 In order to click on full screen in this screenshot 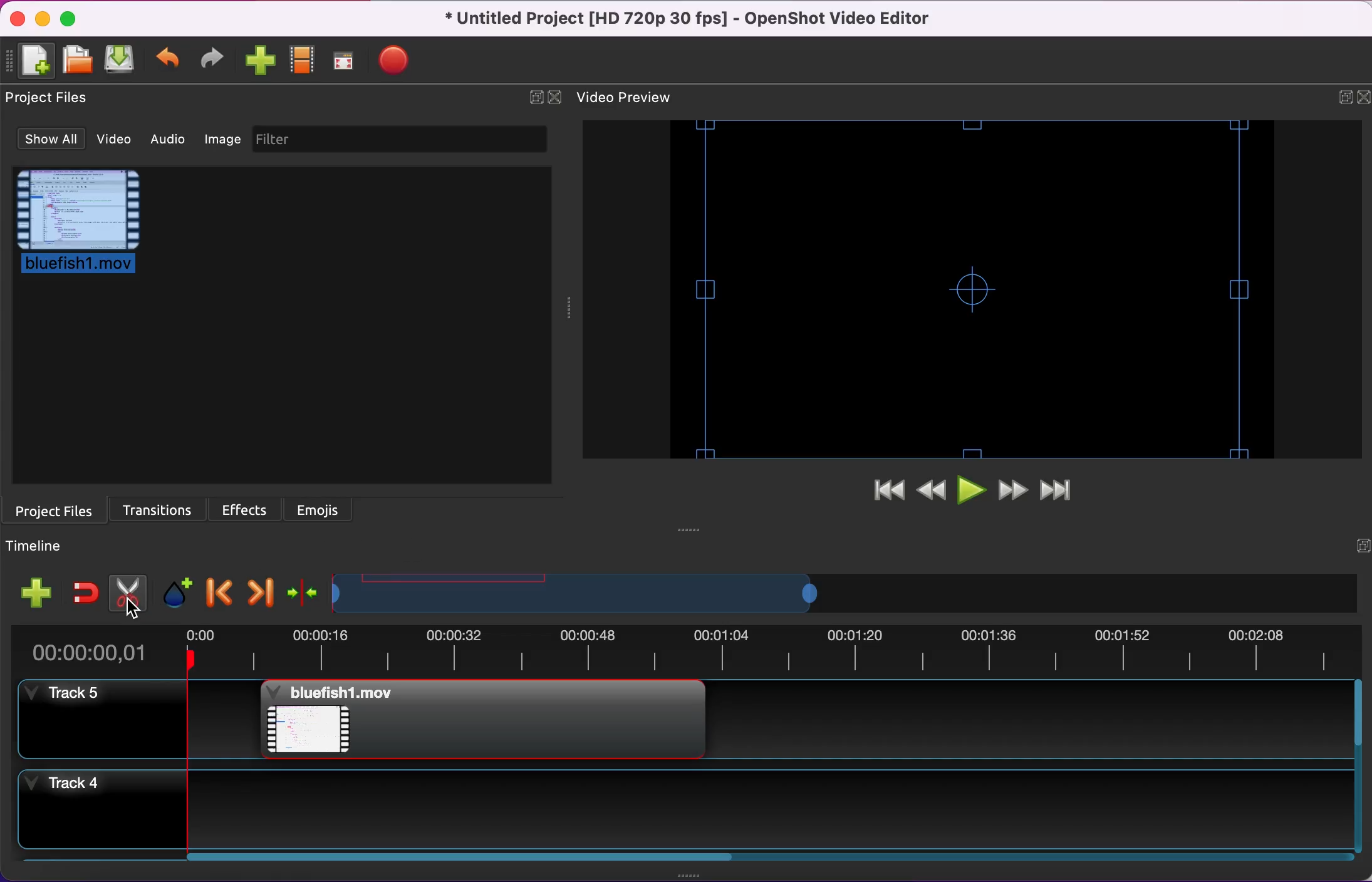, I will do `click(346, 61)`.